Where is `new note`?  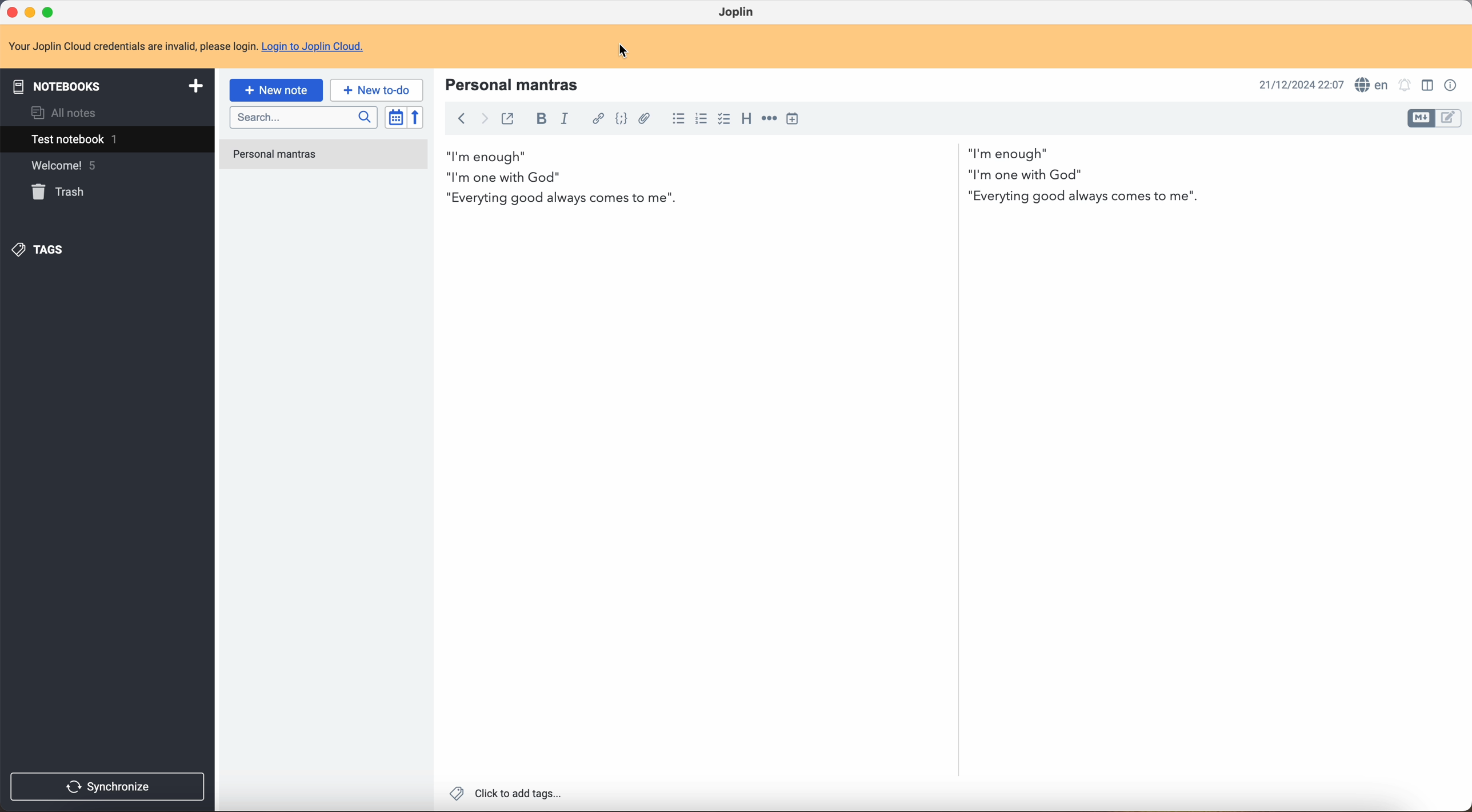
new note is located at coordinates (275, 89).